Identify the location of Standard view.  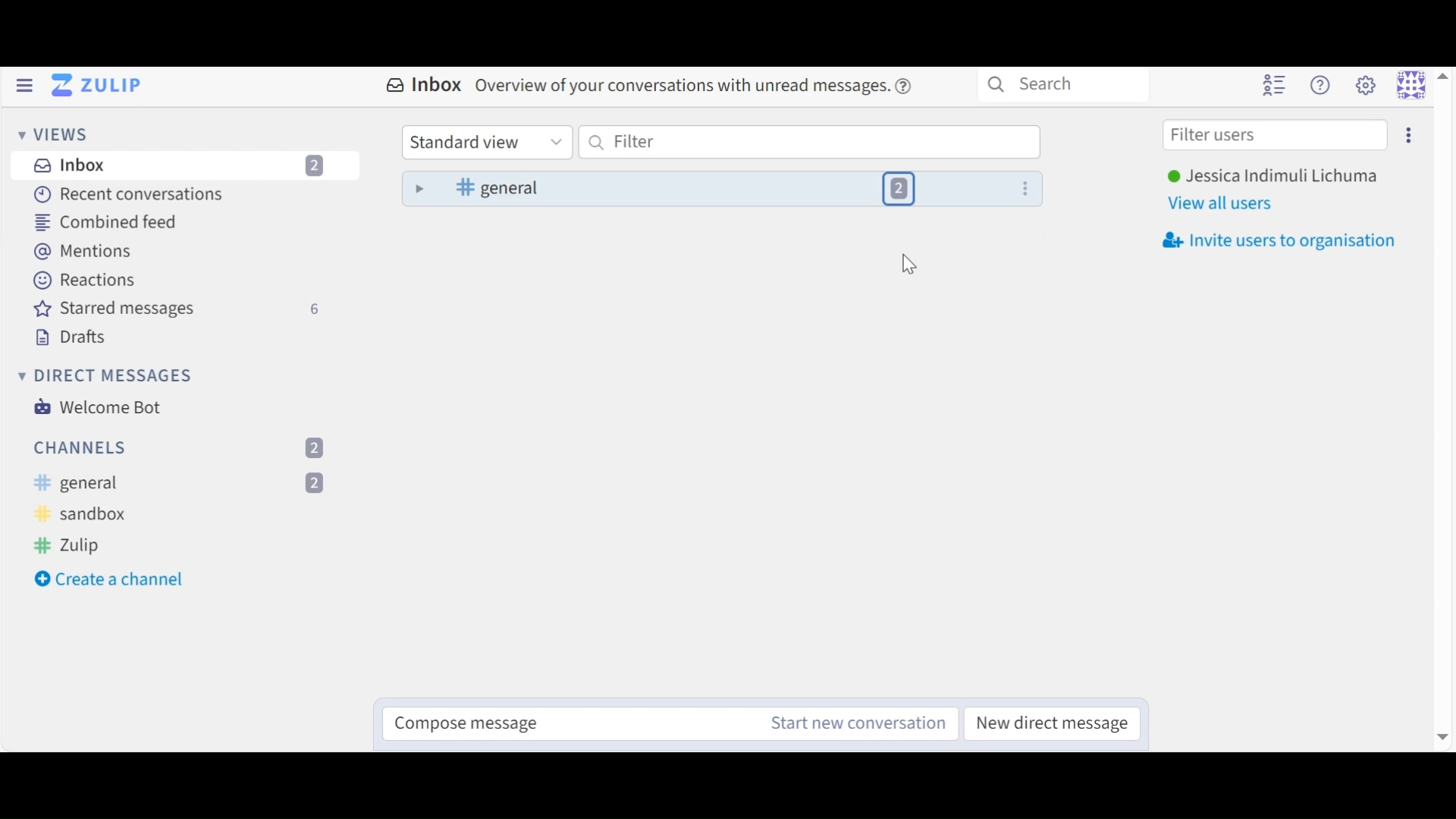
(489, 143).